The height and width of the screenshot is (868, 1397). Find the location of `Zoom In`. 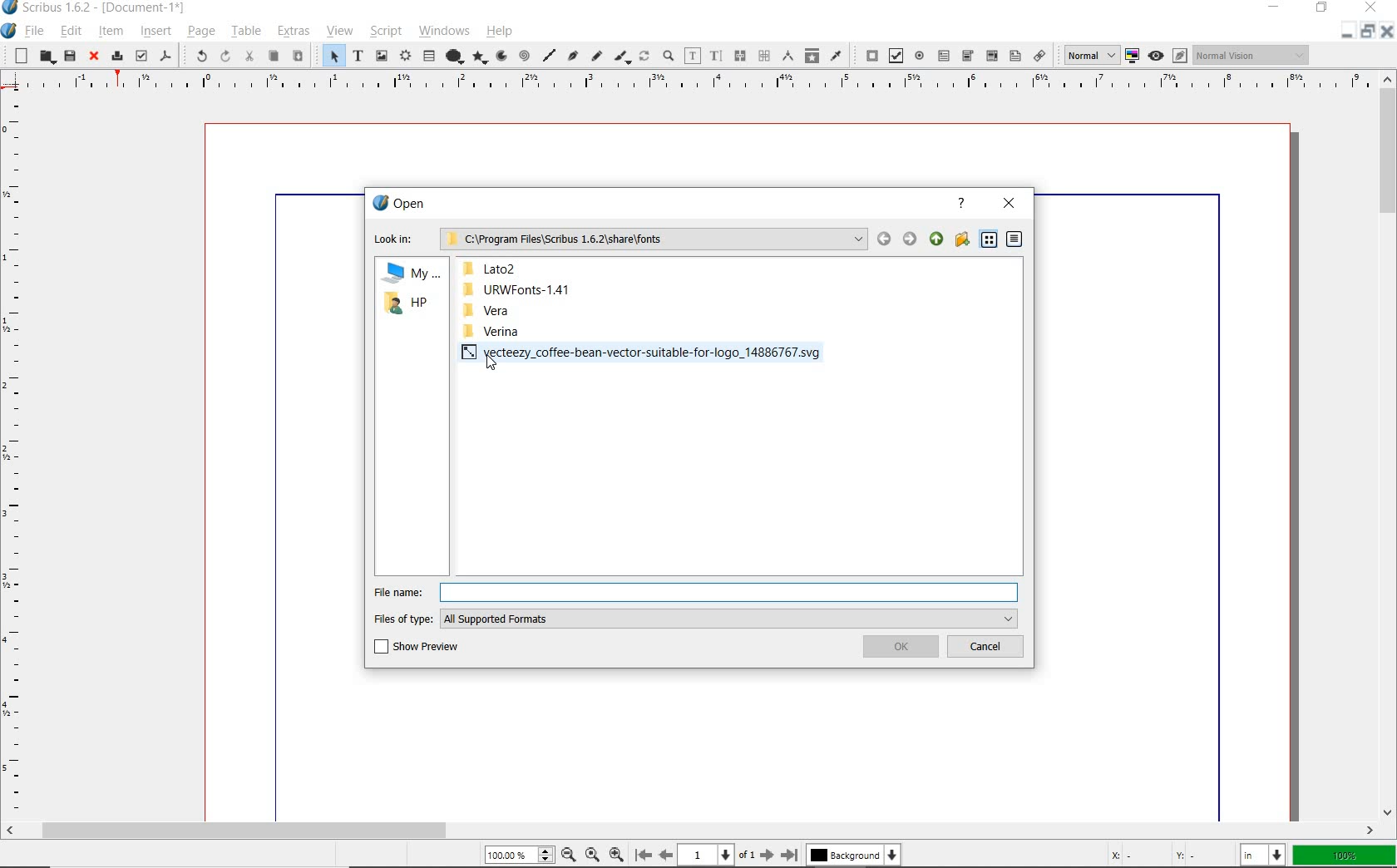

Zoom In is located at coordinates (616, 856).